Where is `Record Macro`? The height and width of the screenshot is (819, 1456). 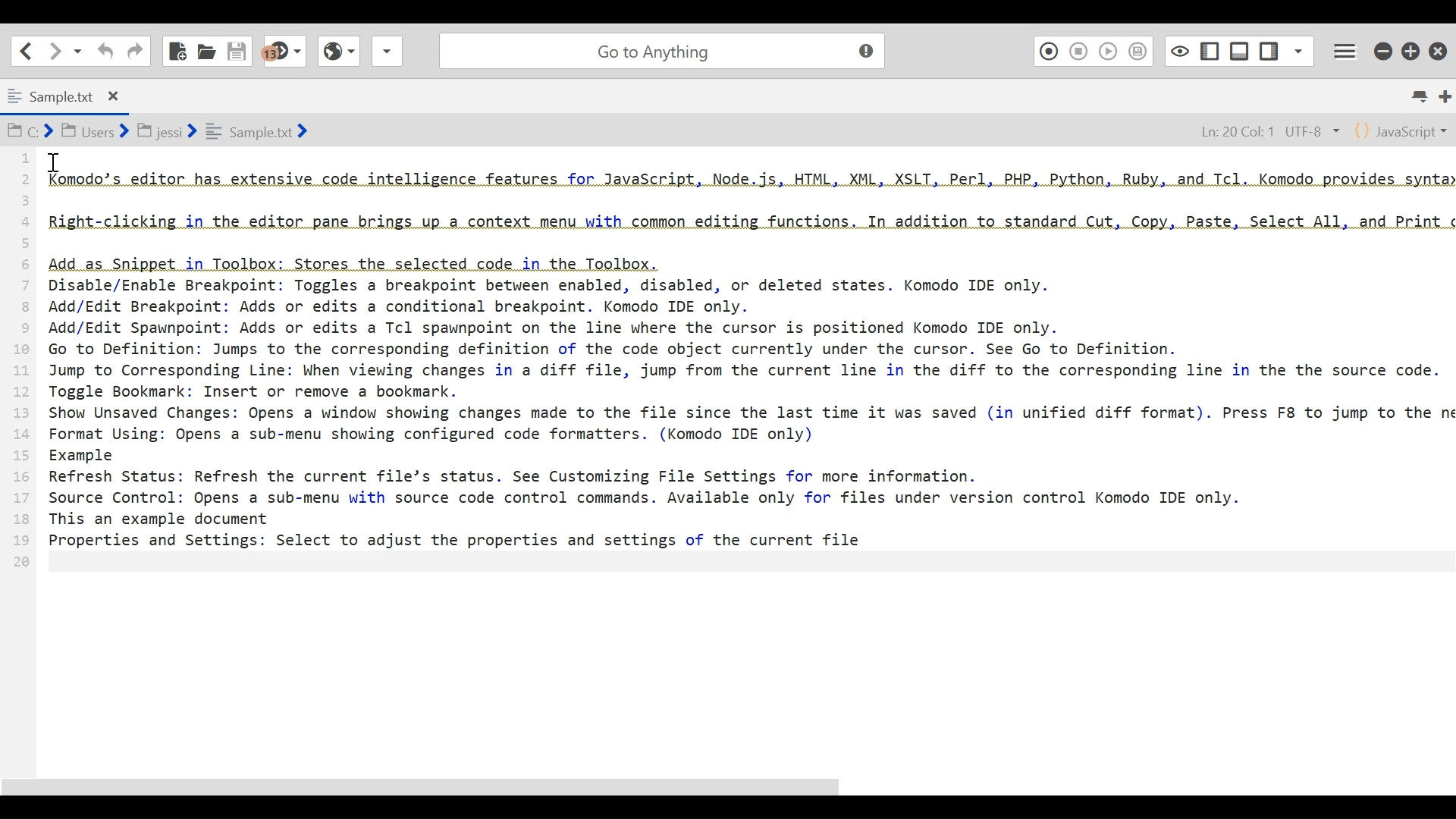 Record Macro is located at coordinates (1048, 50).